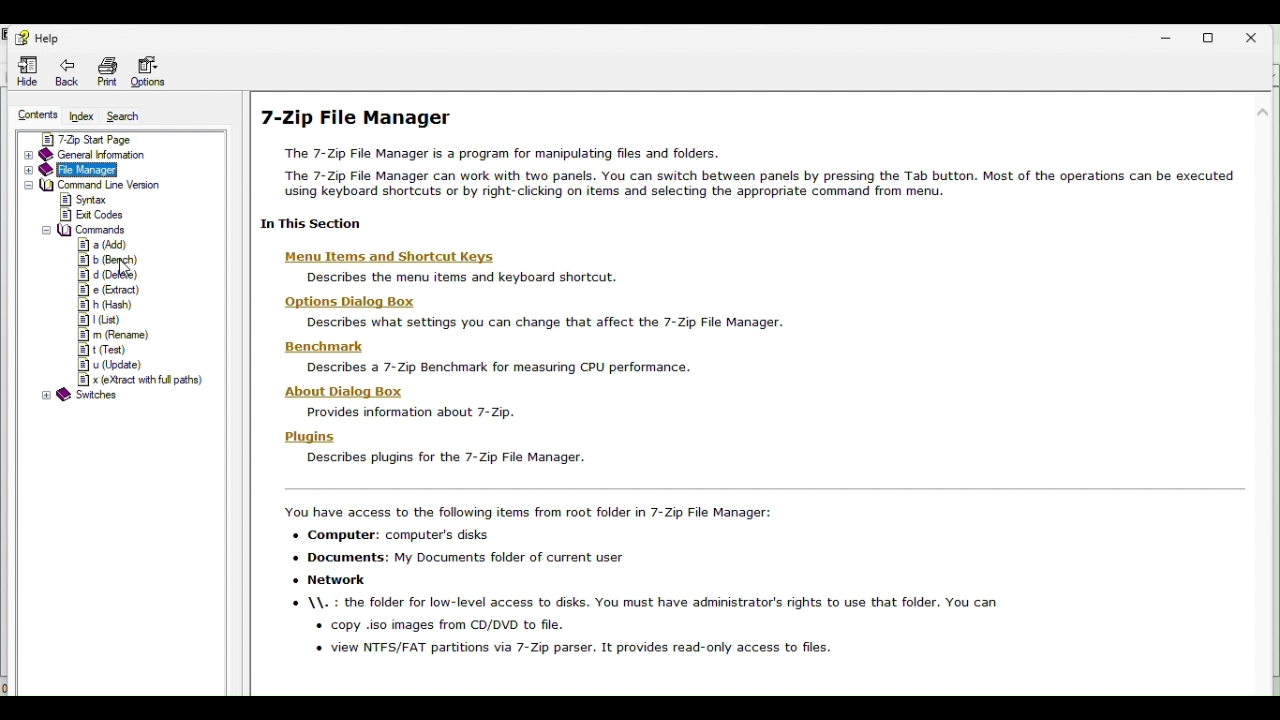  Describe the element at coordinates (111, 304) in the screenshot. I see `h` at that location.